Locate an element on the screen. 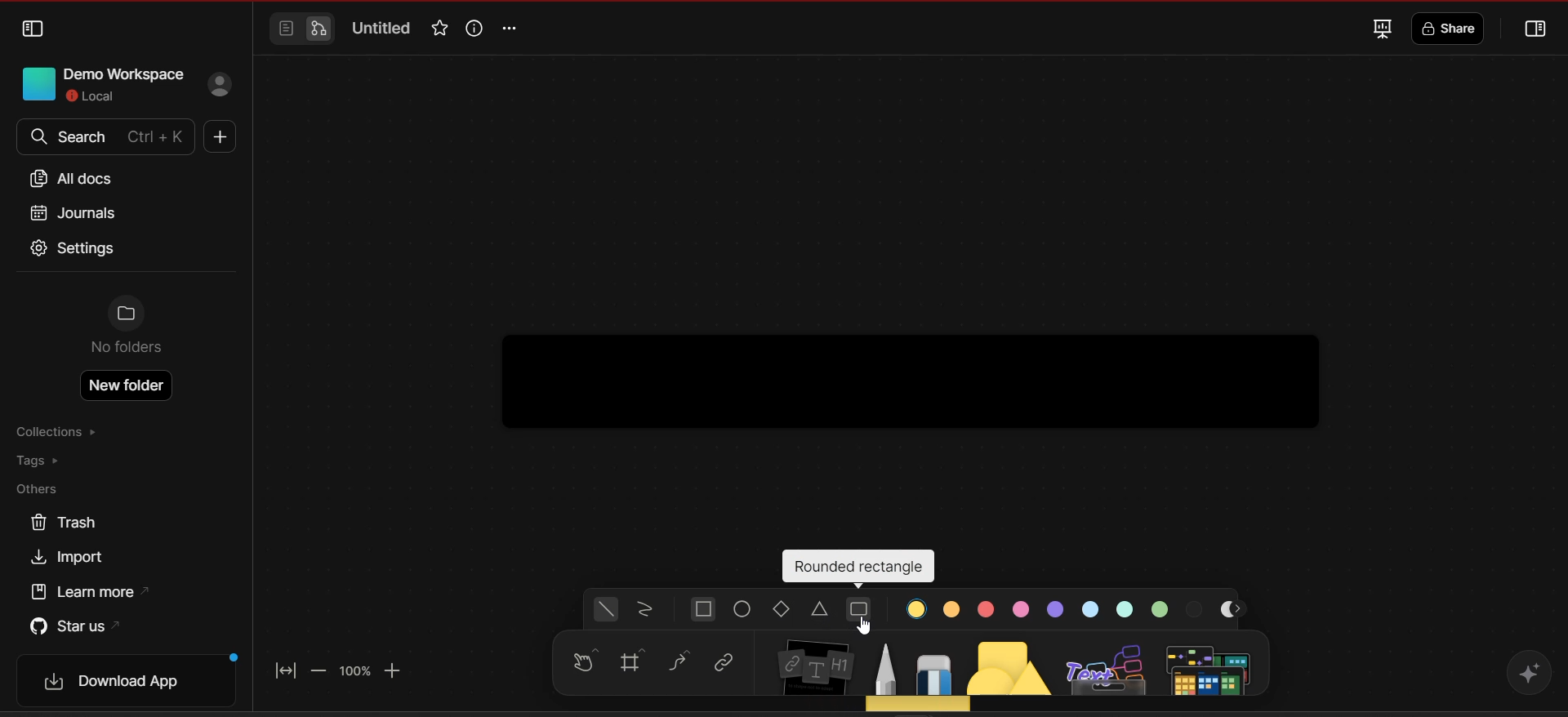 The height and width of the screenshot is (717, 1568). sign in profile is located at coordinates (222, 86).